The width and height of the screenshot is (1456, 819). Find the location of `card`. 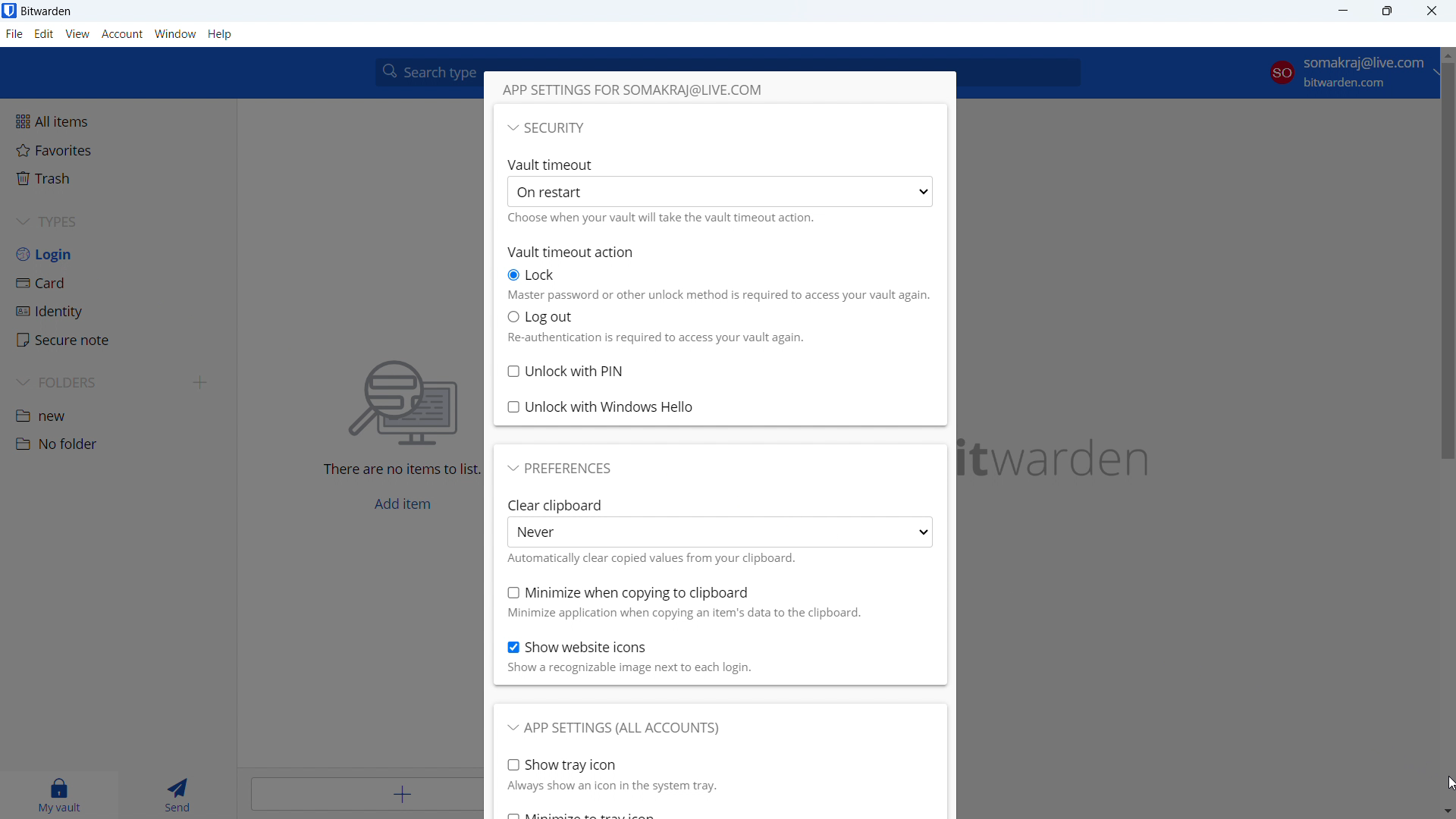

card is located at coordinates (119, 283).